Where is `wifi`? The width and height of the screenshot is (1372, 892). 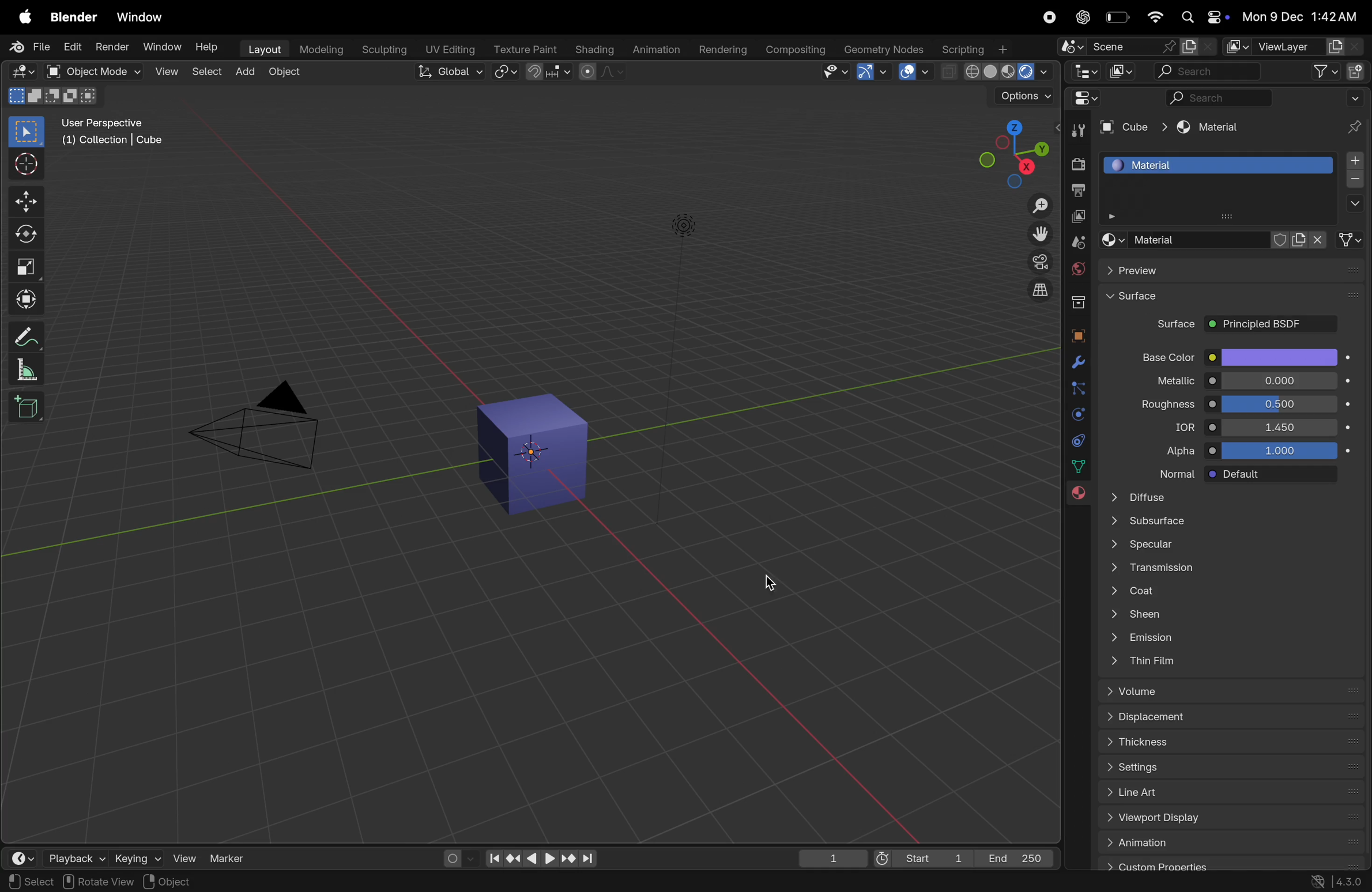
wifi is located at coordinates (1154, 17).